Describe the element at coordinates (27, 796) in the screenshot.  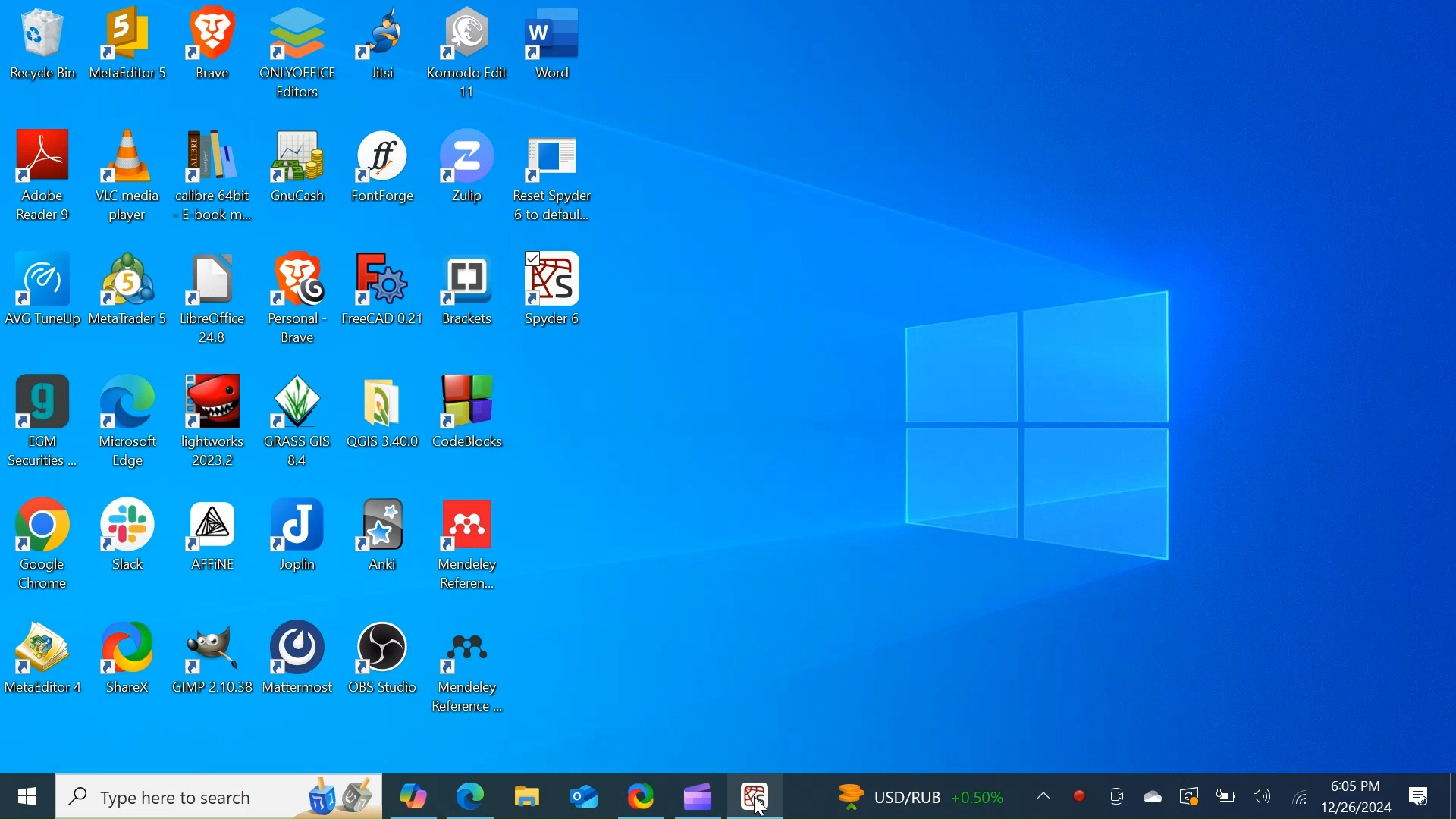
I see `Windows` at that location.